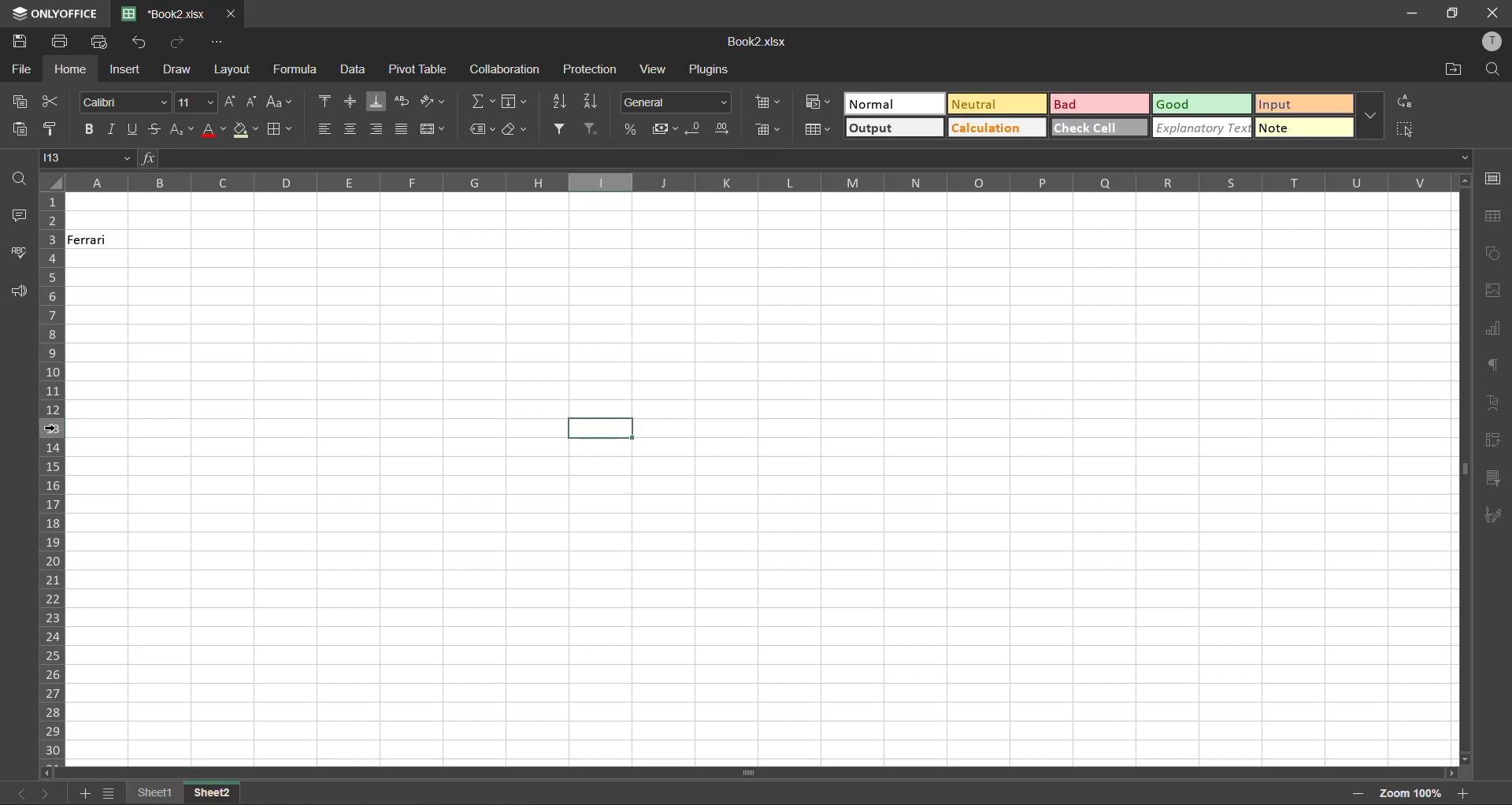 The width and height of the screenshot is (1512, 805). I want to click on input, so click(1302, 103).